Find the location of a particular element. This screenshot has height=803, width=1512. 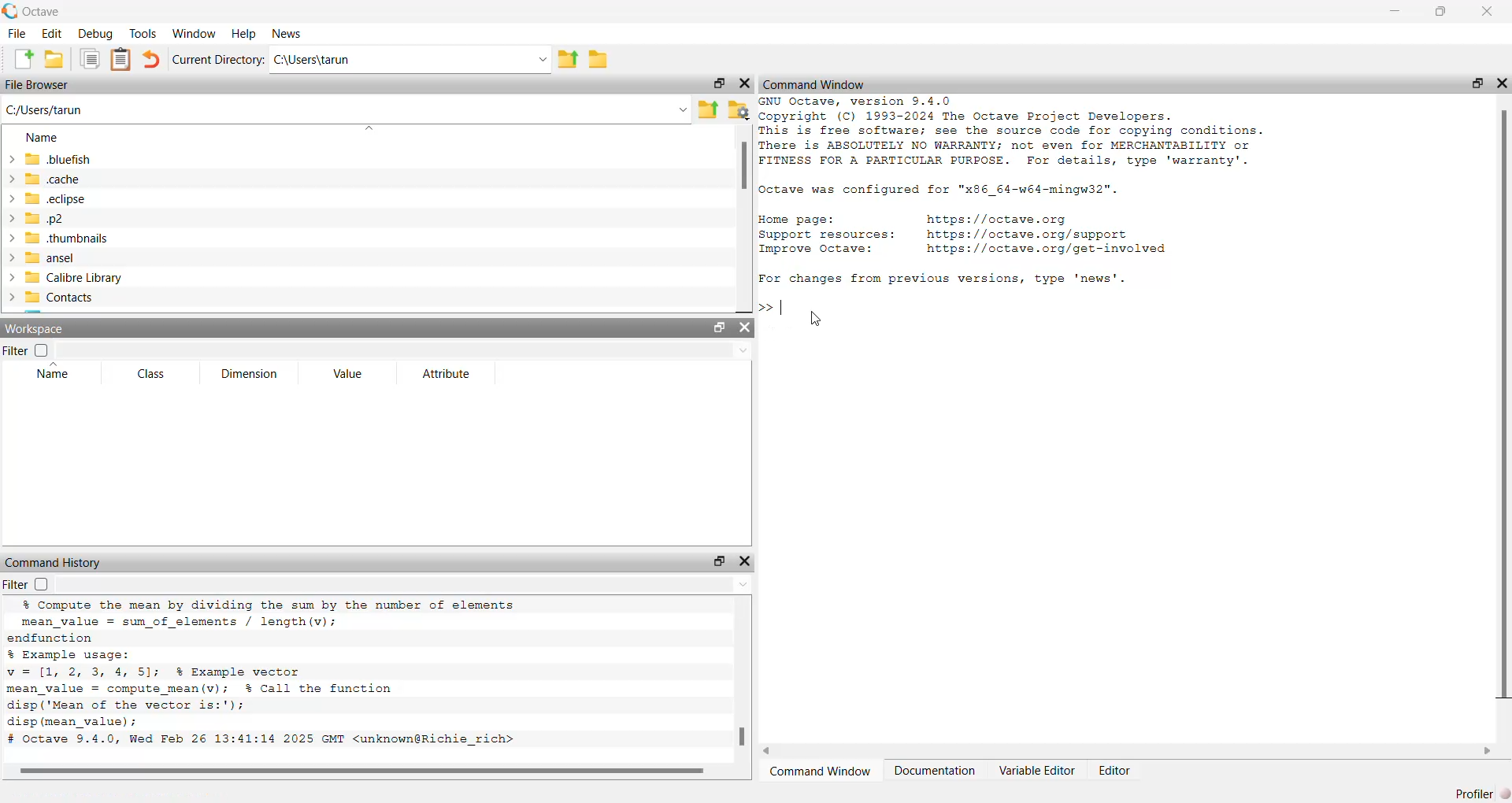

octave is located at coordinates (45, 12).